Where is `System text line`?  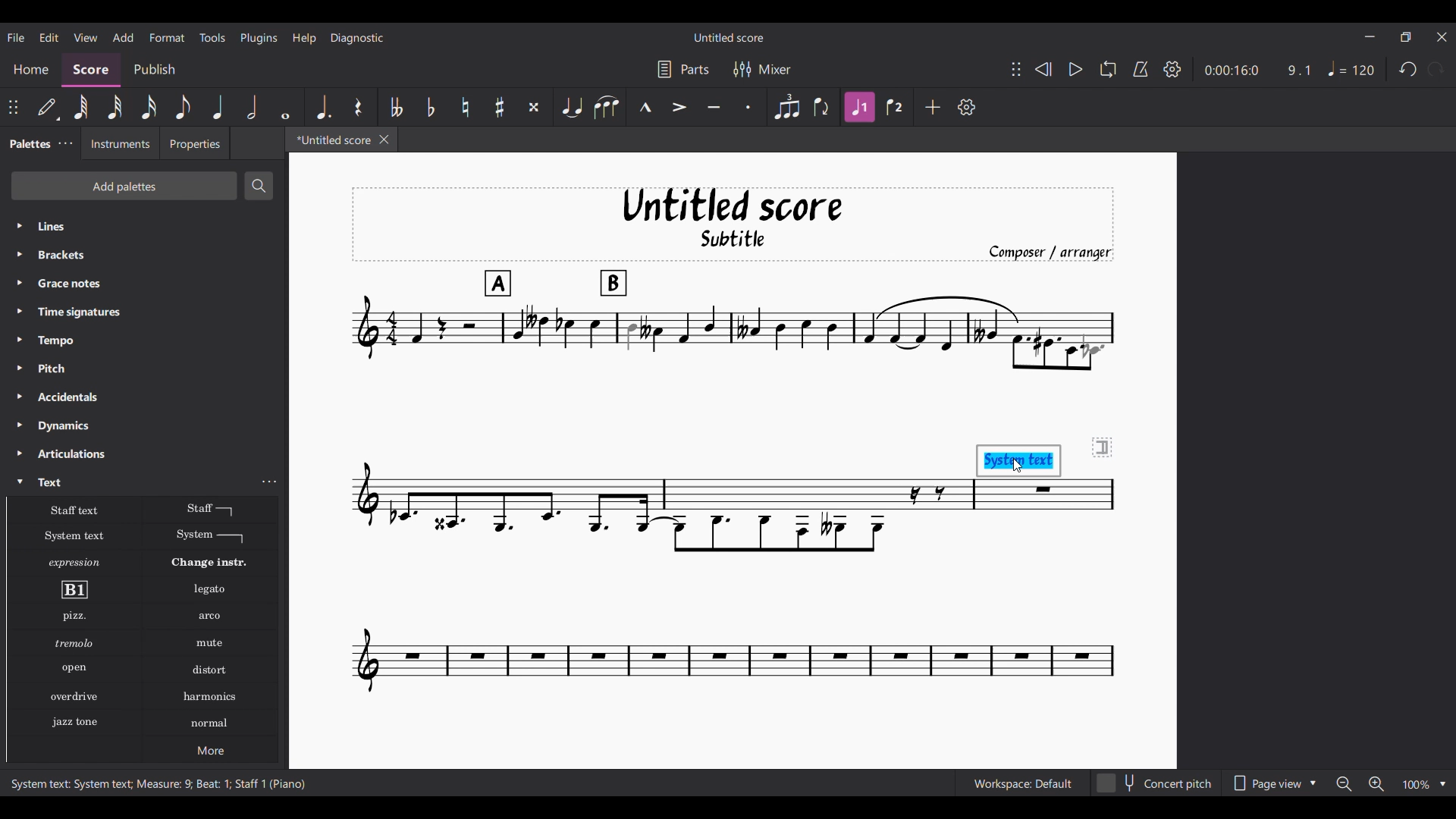
System text line is located at coordinates (210, 536).